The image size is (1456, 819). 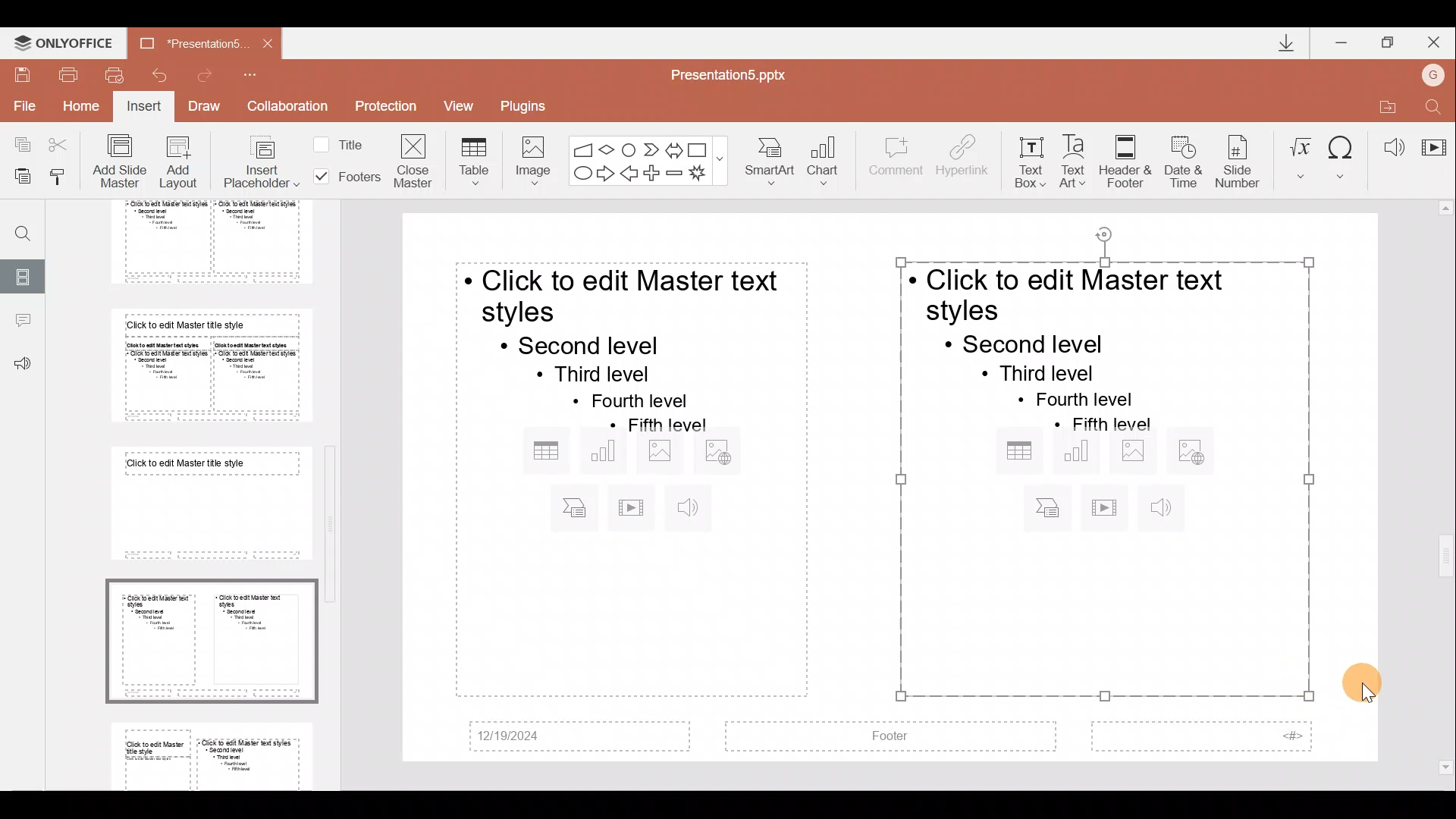 What do you see at coordinates (123, 162) in the screenshot?
I see `Add slide master` at bounding box center [123, 162].